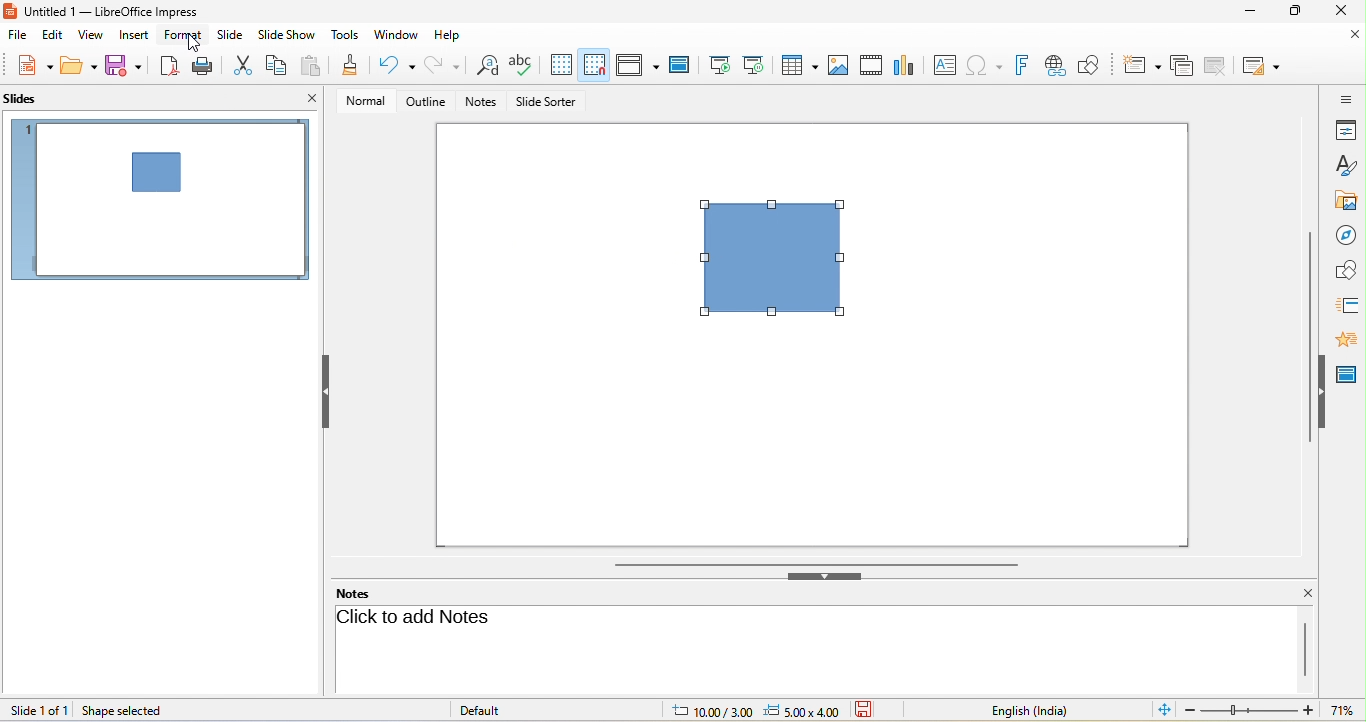  I want to click on master slide, so click(1350, 371).